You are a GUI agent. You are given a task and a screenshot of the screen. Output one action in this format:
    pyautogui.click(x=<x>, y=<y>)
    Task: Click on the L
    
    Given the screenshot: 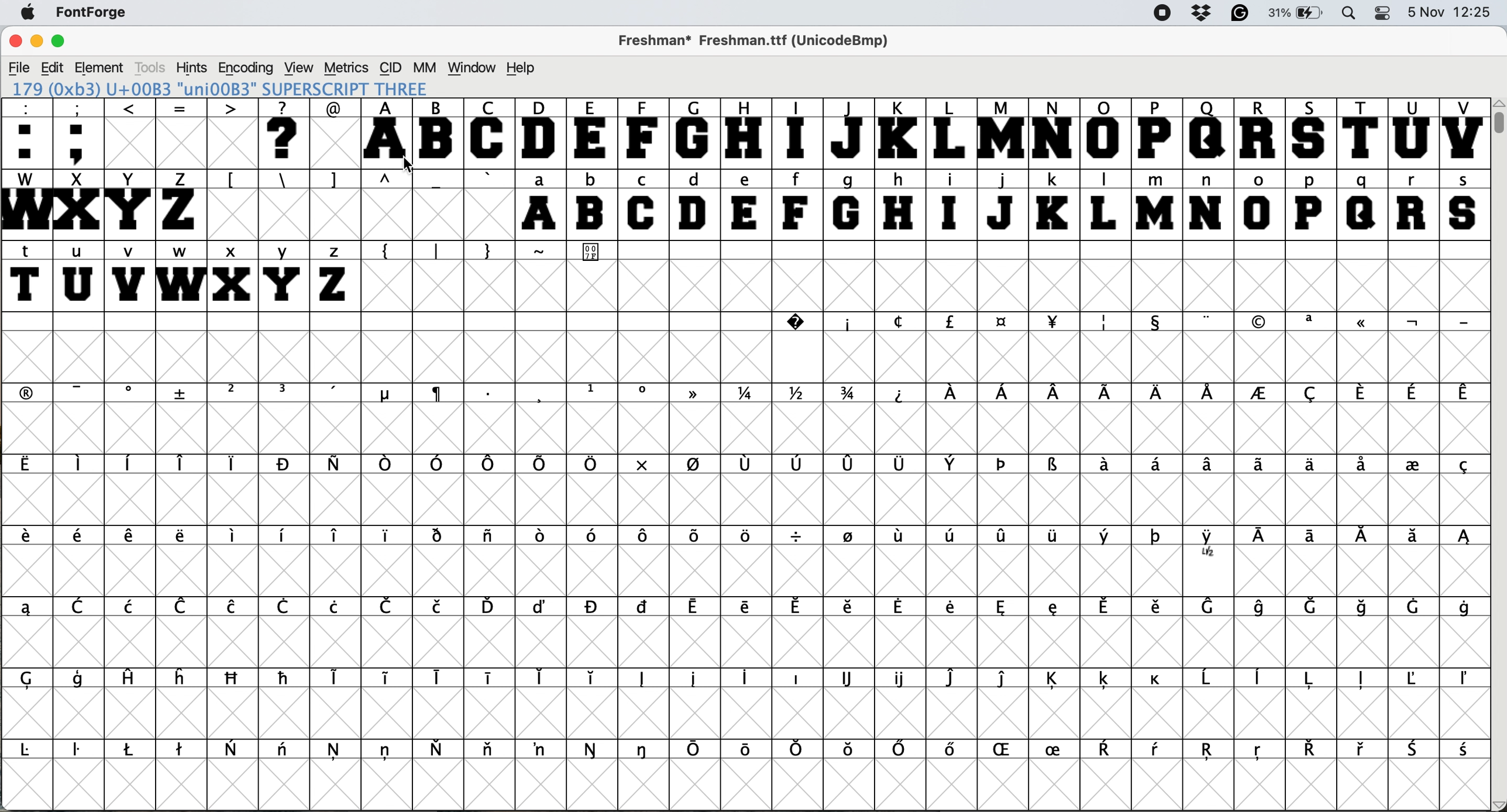 What is the action you would take?
    pyautogui.click(x=1107, y=205)
    